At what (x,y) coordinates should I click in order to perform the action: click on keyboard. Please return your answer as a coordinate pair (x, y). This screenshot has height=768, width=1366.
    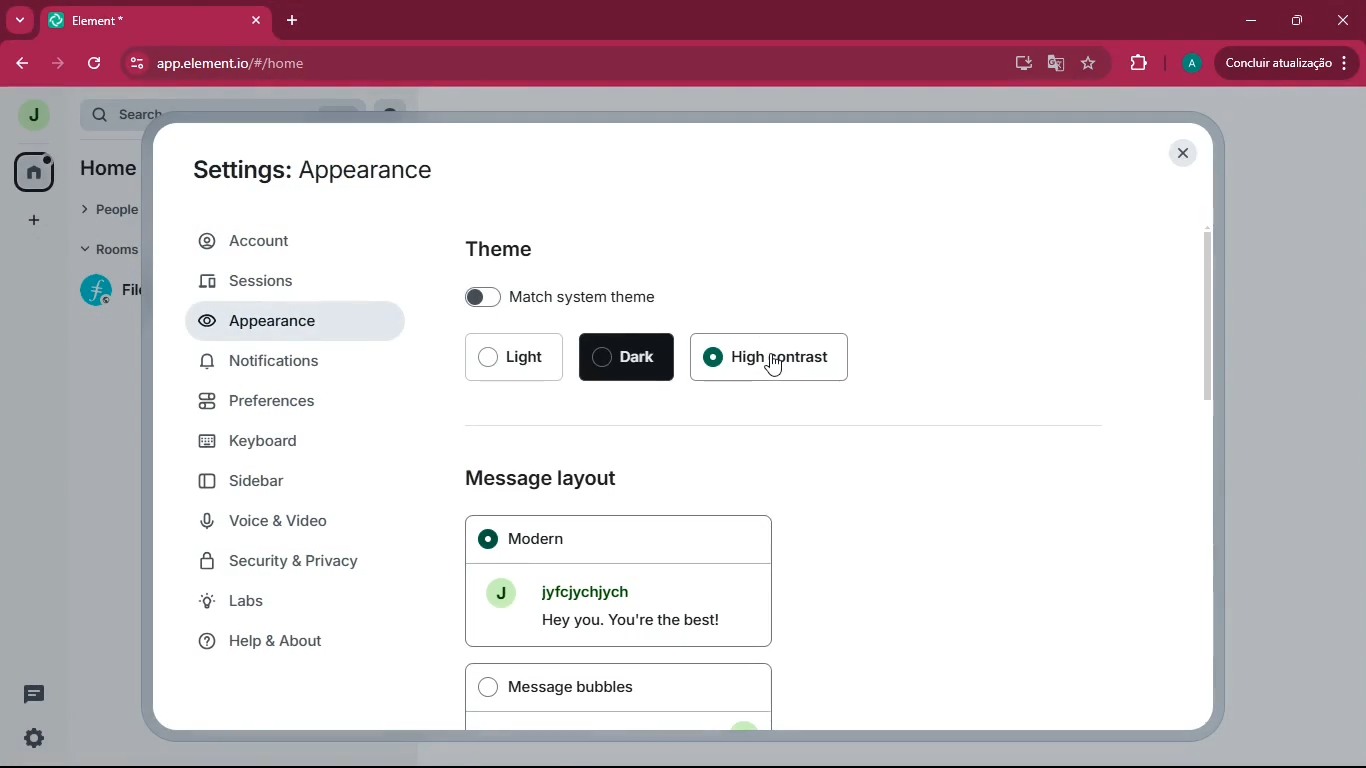
    Looking at the image, I should click on (283, 442).